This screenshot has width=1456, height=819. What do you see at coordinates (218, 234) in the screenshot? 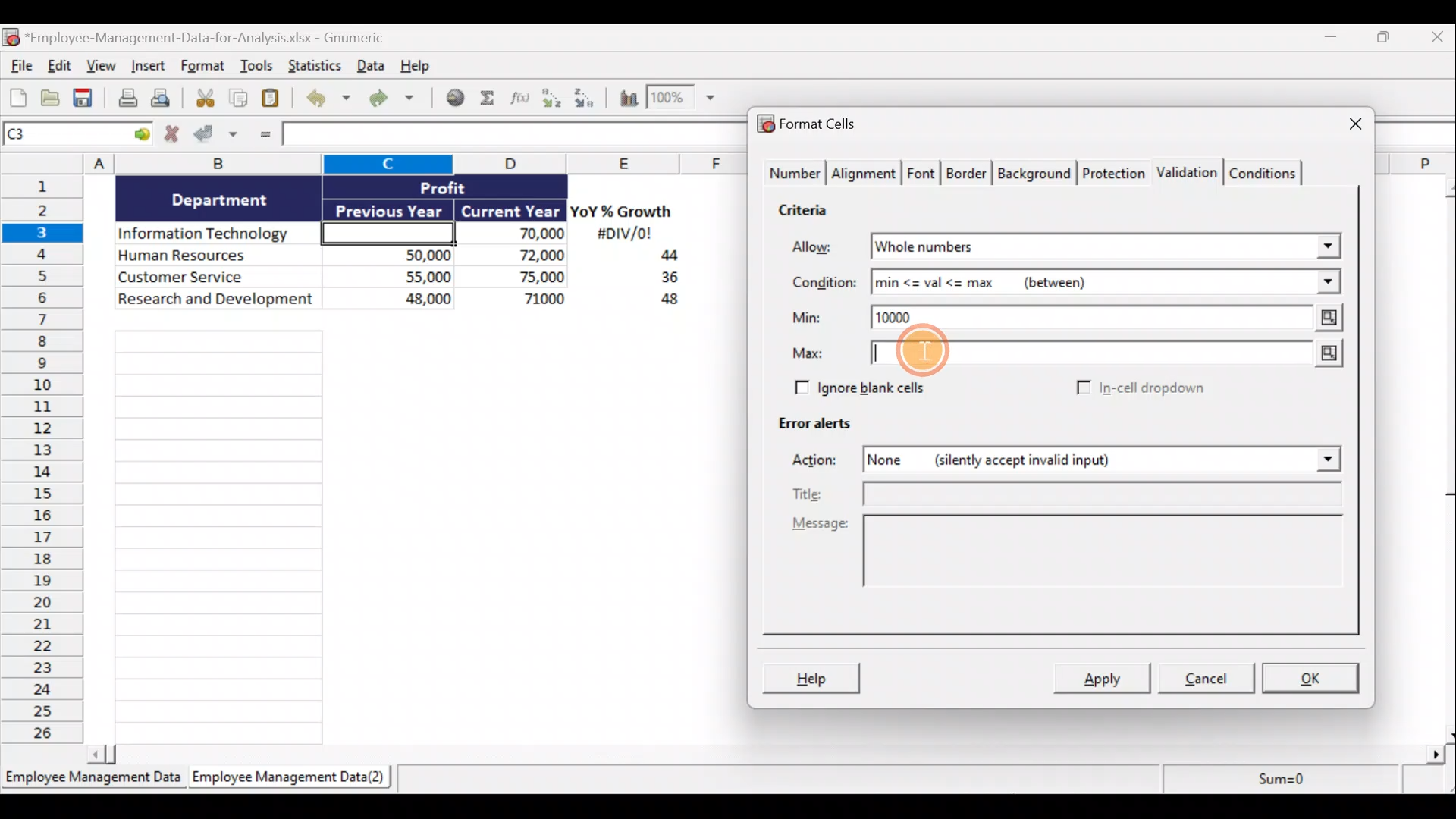
I see `Information Technology` at bounding box center [218, 234].